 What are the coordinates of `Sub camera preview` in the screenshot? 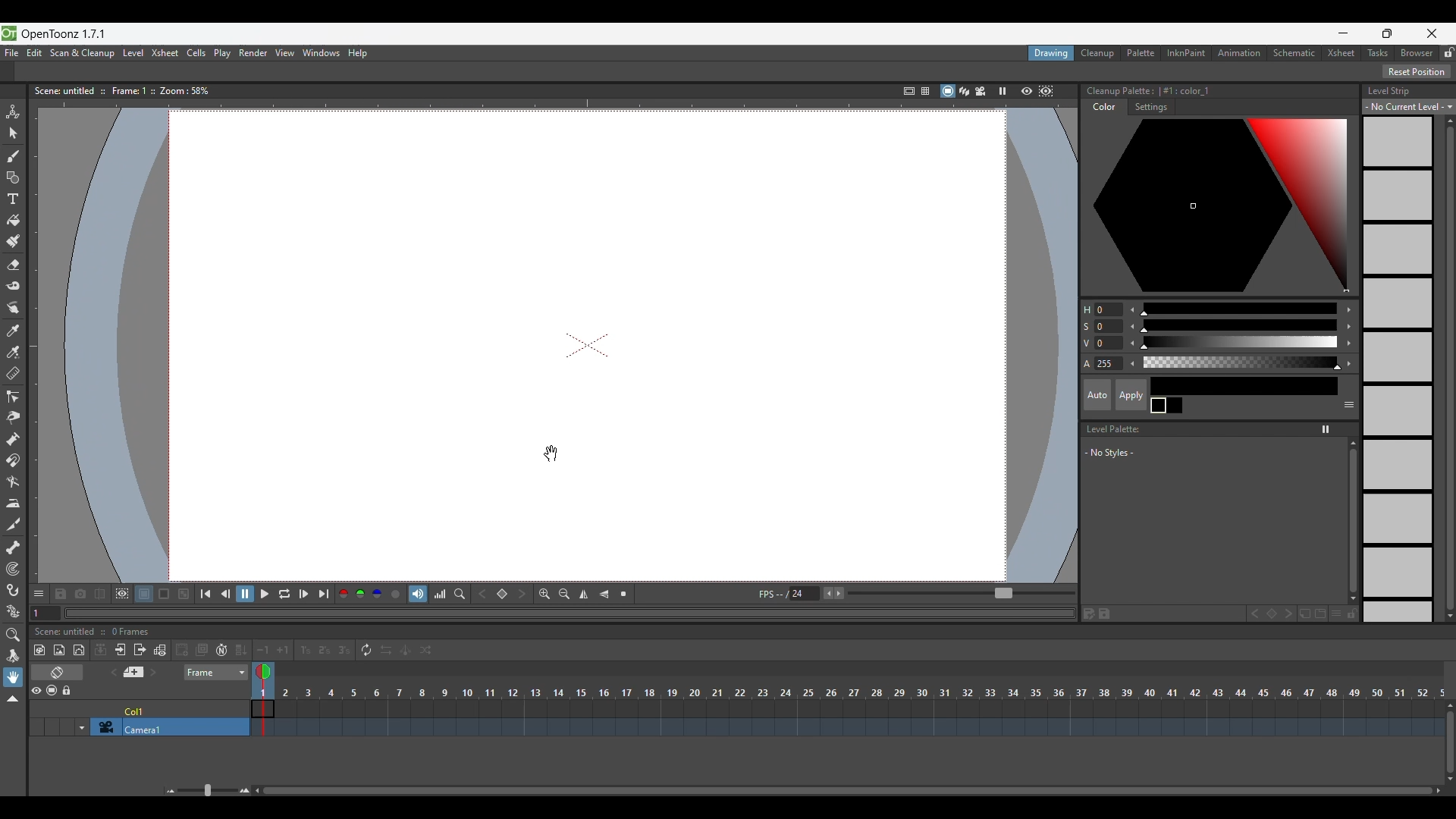 It's located at (1045, 91).